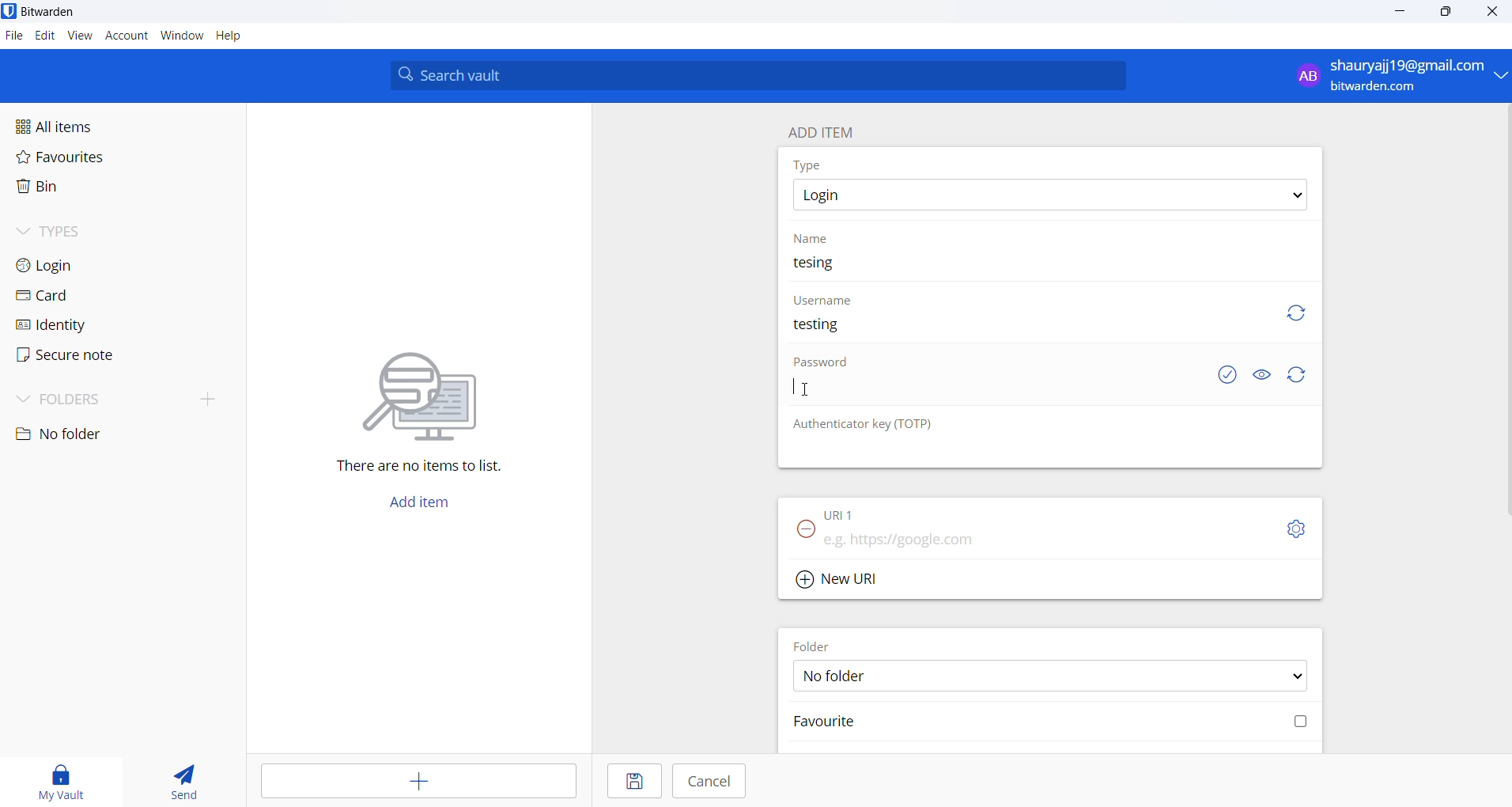  Describe the element at coordinates (81, 36) in the screenshot. I see `View` at that location.